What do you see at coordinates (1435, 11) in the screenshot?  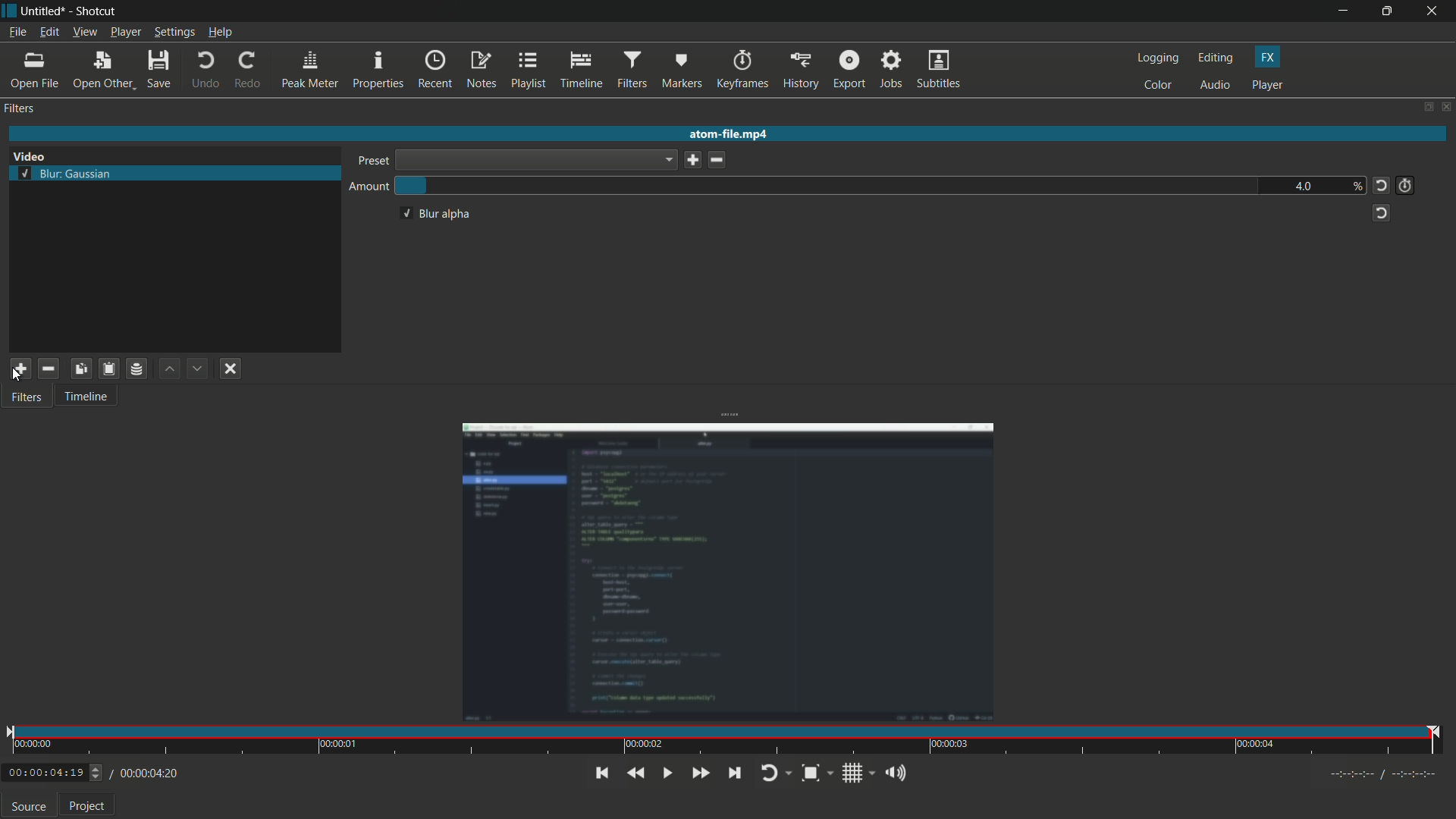 I see `close app` at bounding box center [1435, 11].